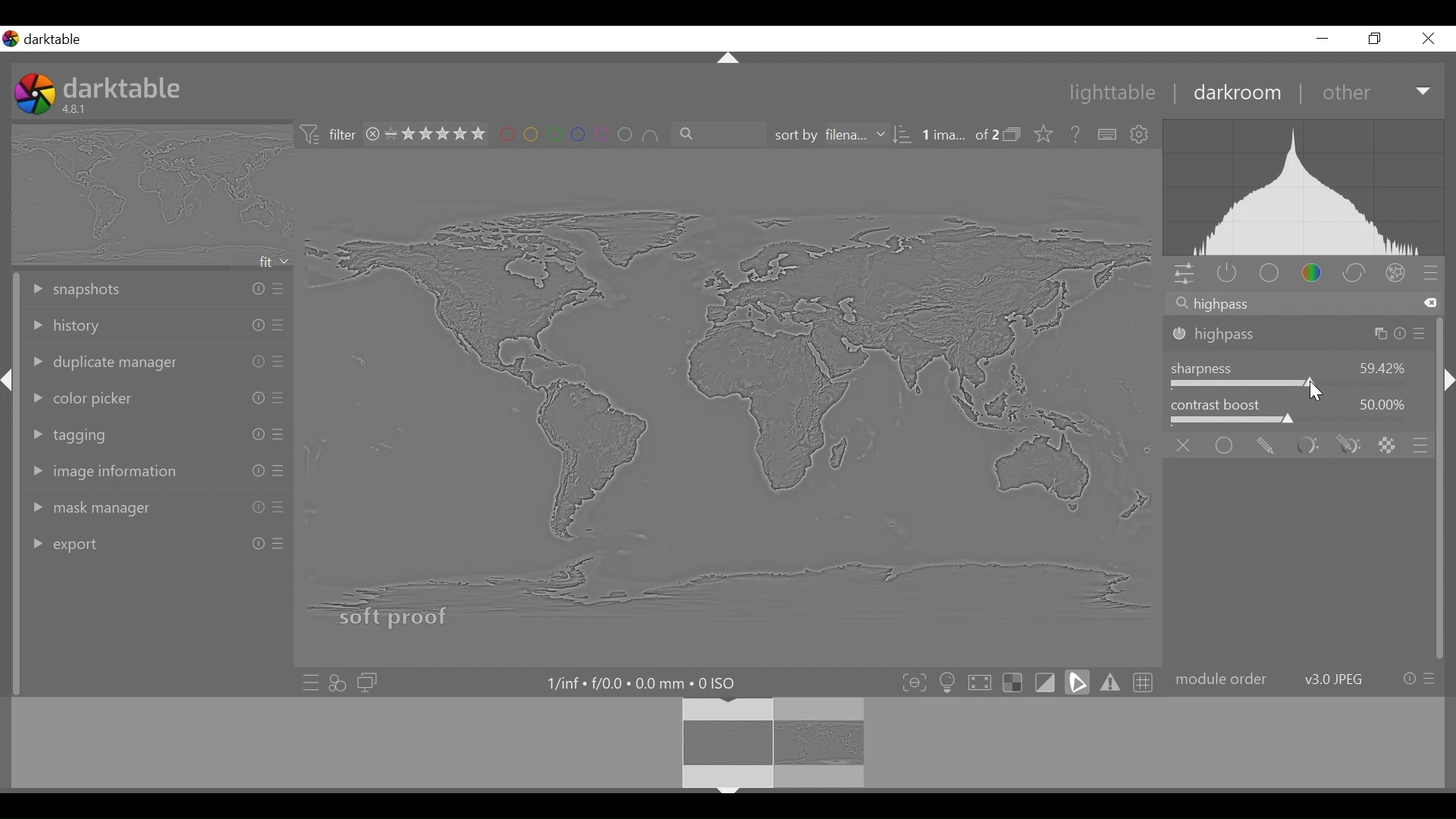  Describe the element at coordinates (34, 93) in the screenshot. I see `Darktable Desktop icon` at that location.